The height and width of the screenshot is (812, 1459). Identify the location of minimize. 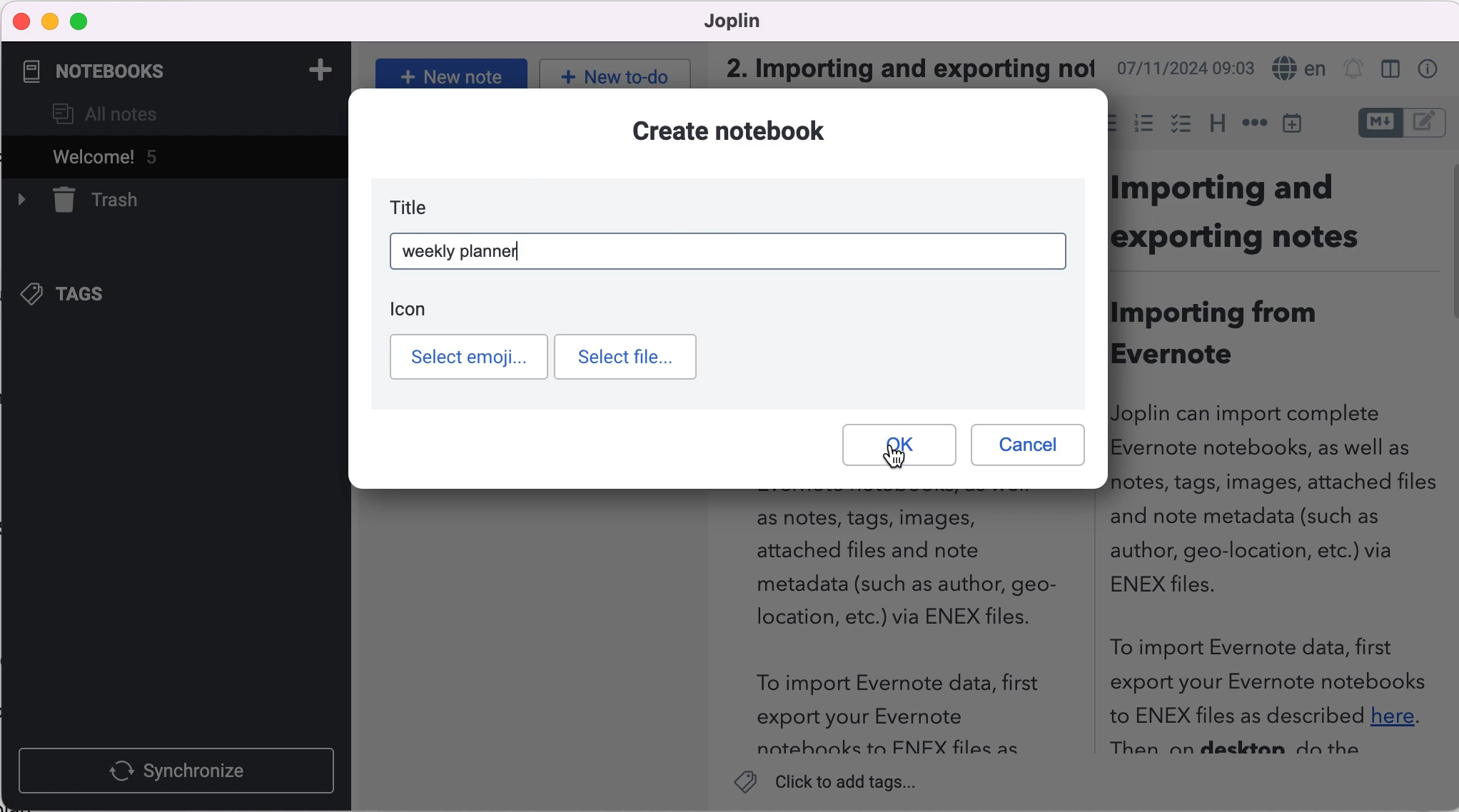
(50, 21).